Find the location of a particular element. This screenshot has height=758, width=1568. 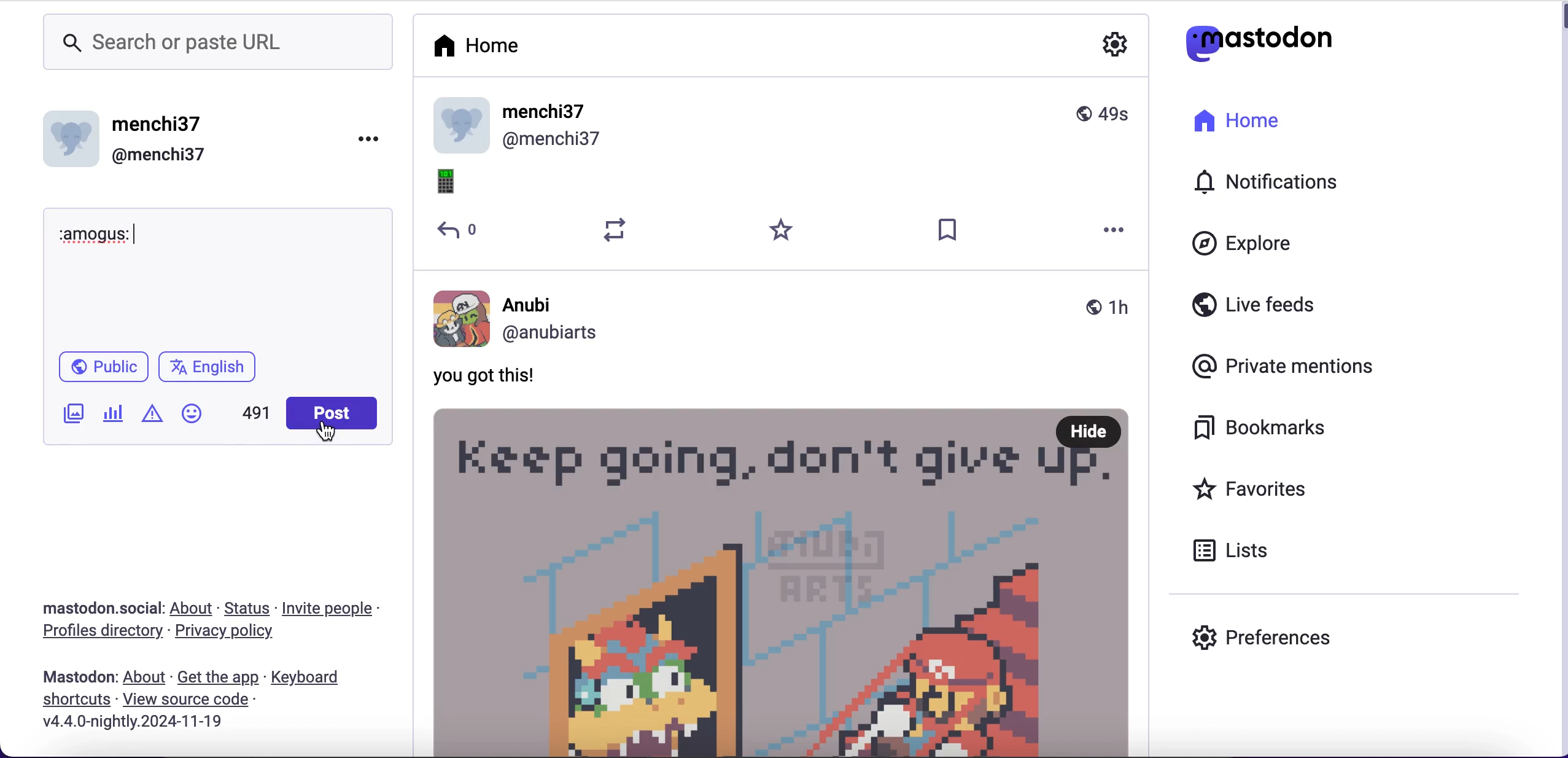

profiles directory is located at coordinates (101, 634).